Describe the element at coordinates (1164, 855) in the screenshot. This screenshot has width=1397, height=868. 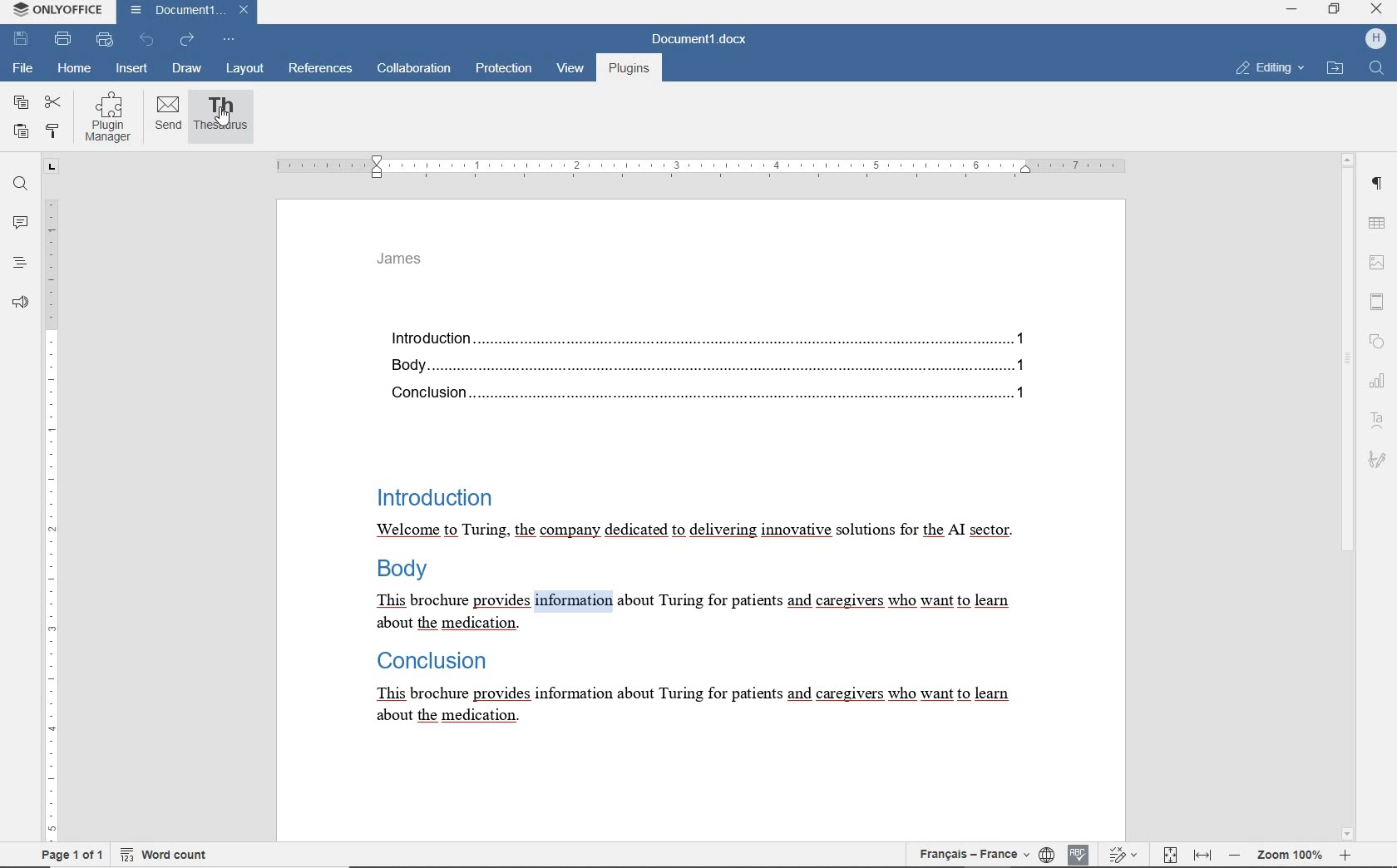
I see `FIT TO PAGE` at that location.